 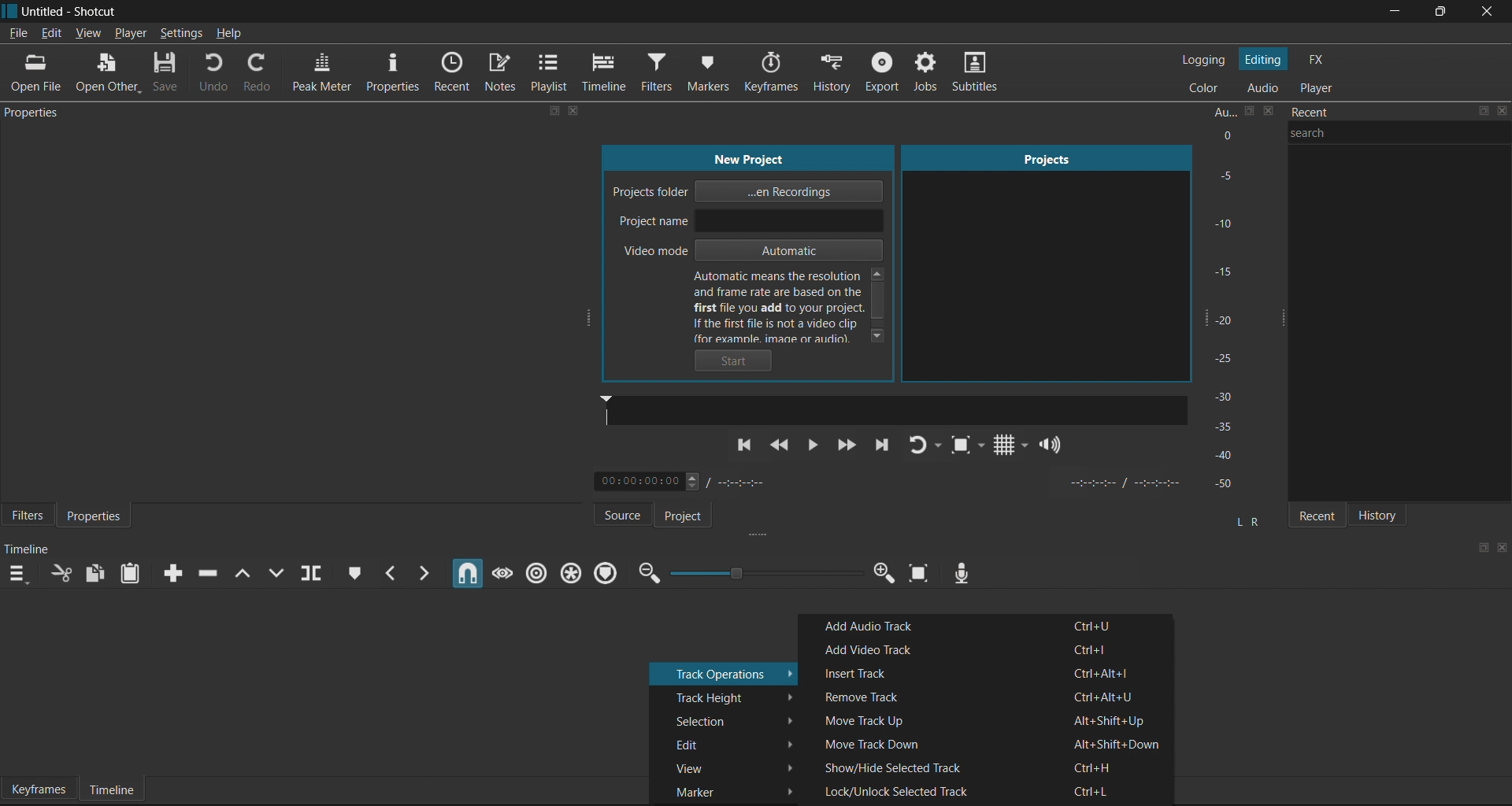 I want to click on Zoom timeline to fit, so click(x=918, y=578).